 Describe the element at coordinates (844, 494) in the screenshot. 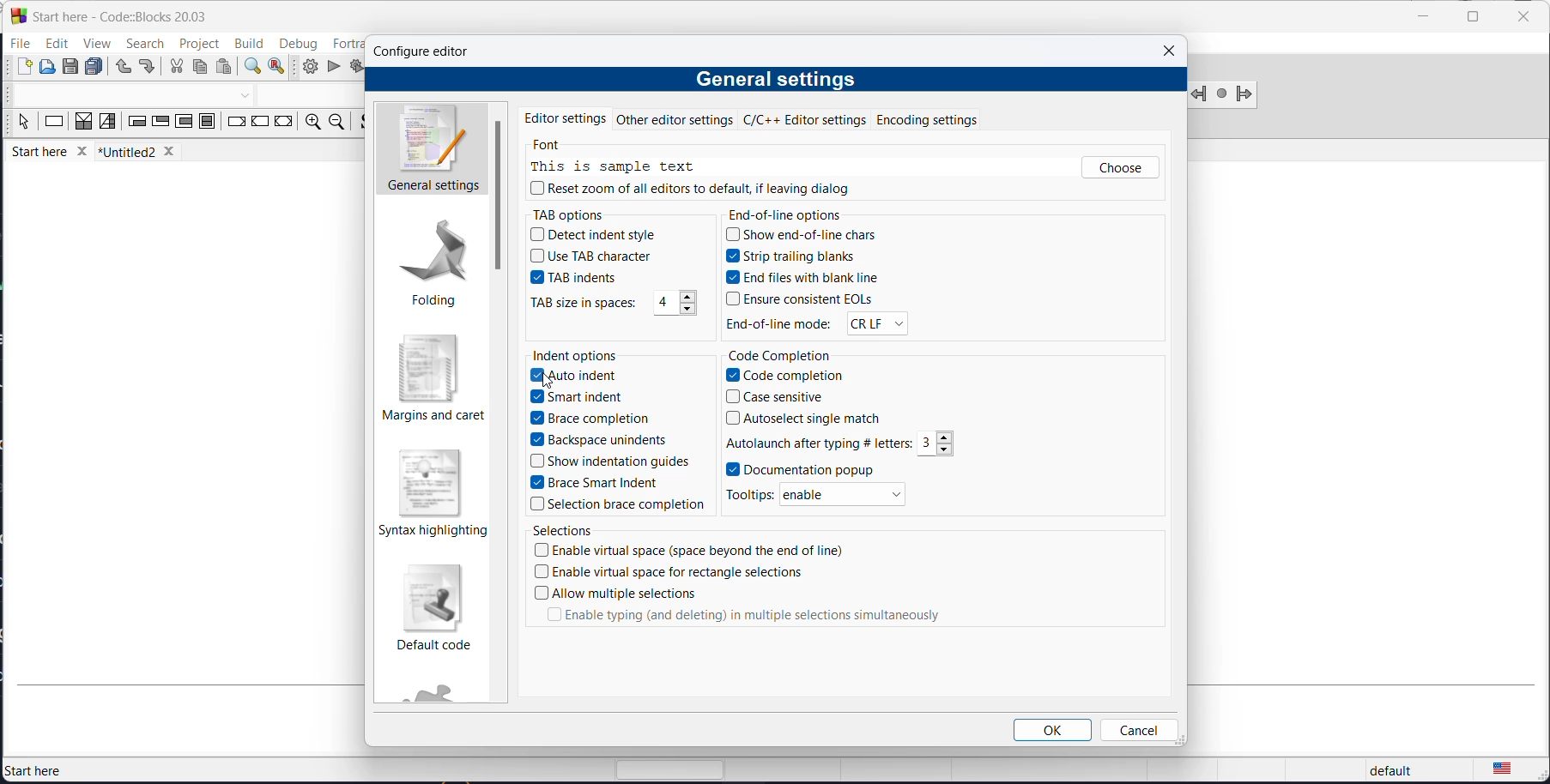

I see `tooltips enable/disable` at that location.